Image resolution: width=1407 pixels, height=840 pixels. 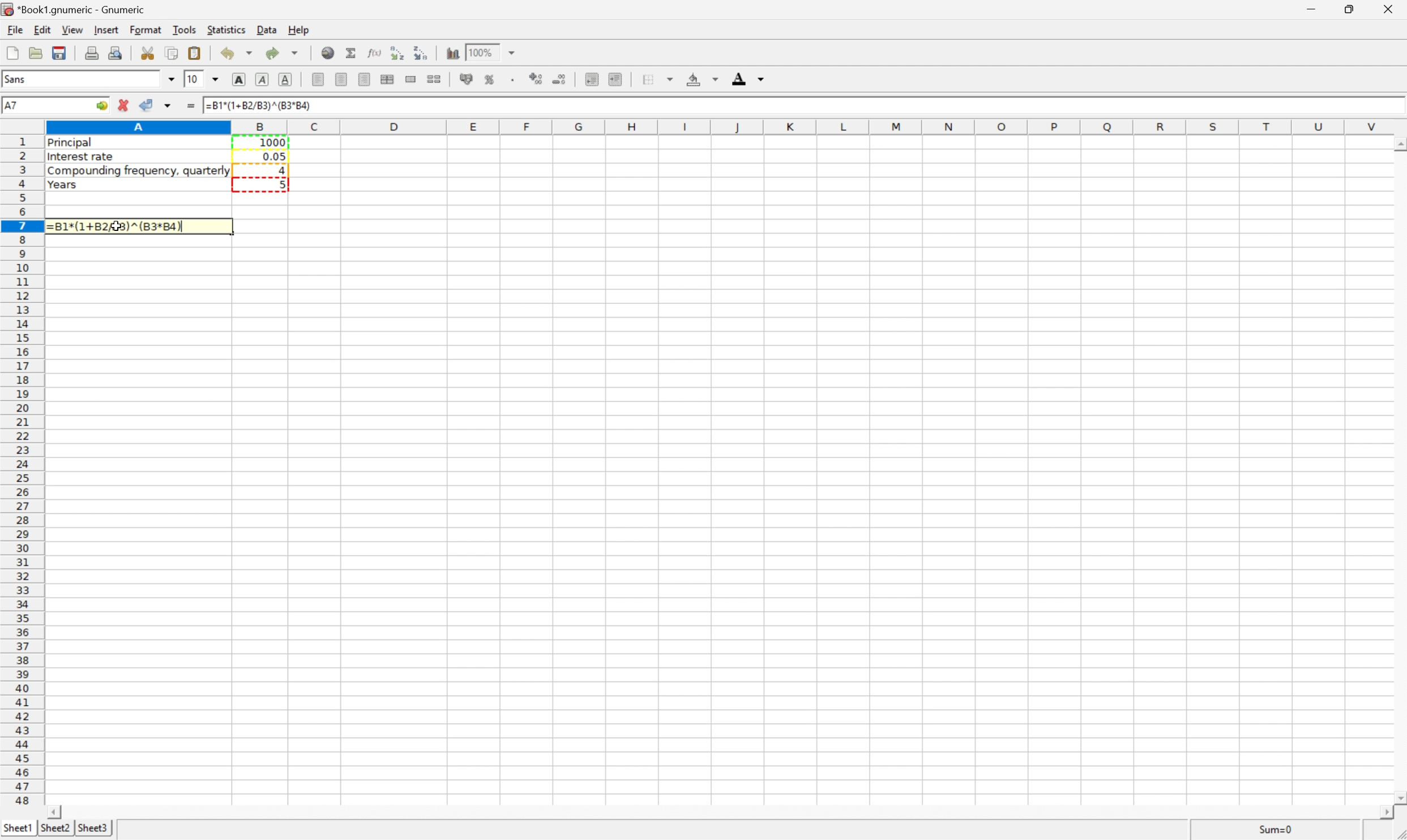 What do you see at coordinates (467, 79) in the screenshot?
I see `format selection as accounting` at bounding box center [467, 79].